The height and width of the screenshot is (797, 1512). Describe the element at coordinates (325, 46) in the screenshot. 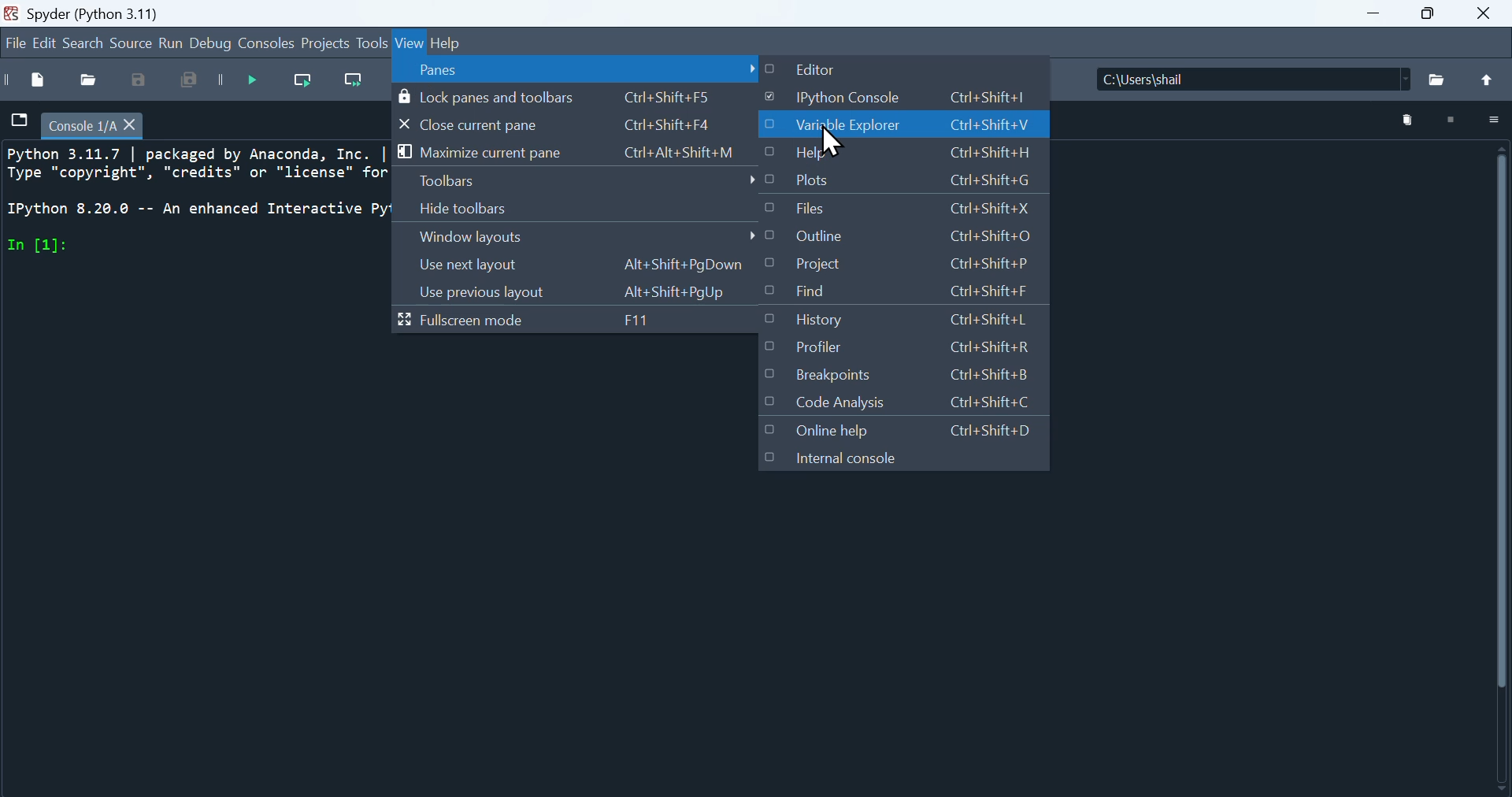

I see `Project` at that location.